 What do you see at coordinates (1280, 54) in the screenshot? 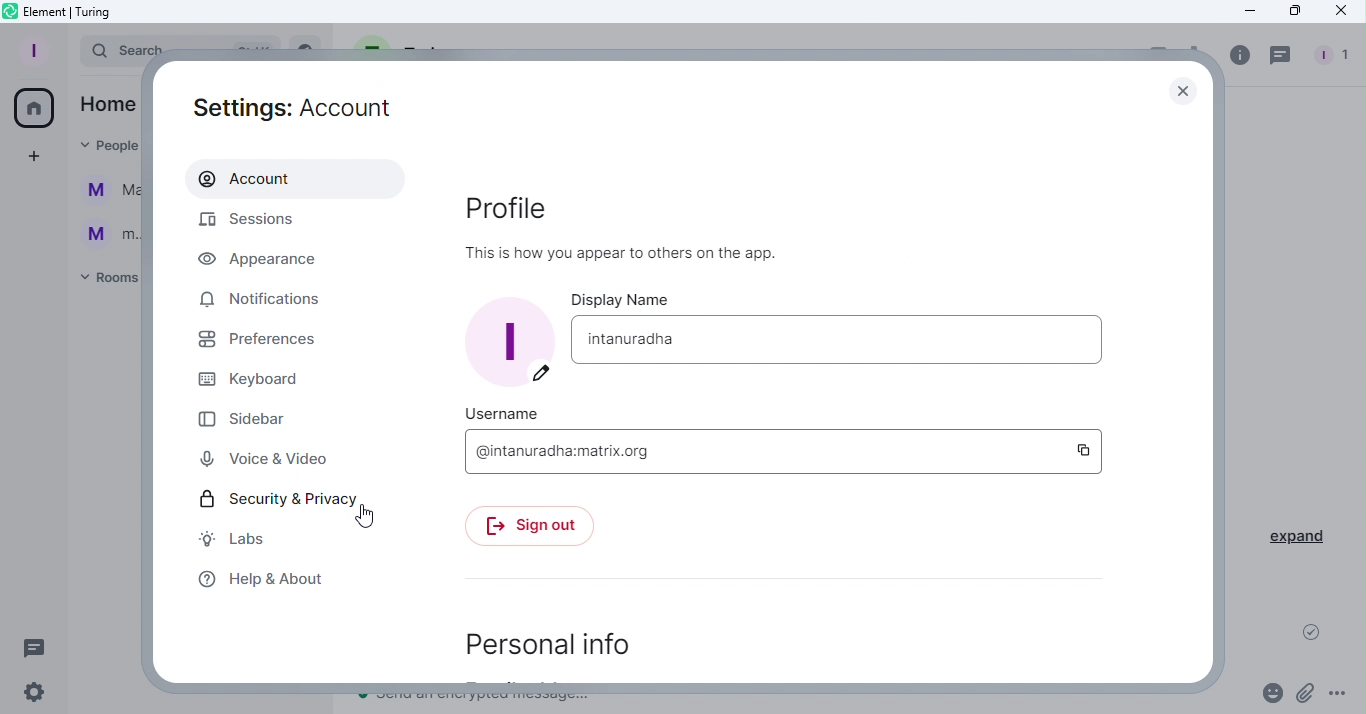
I see `Threads` at bounding box center [1280, 54].